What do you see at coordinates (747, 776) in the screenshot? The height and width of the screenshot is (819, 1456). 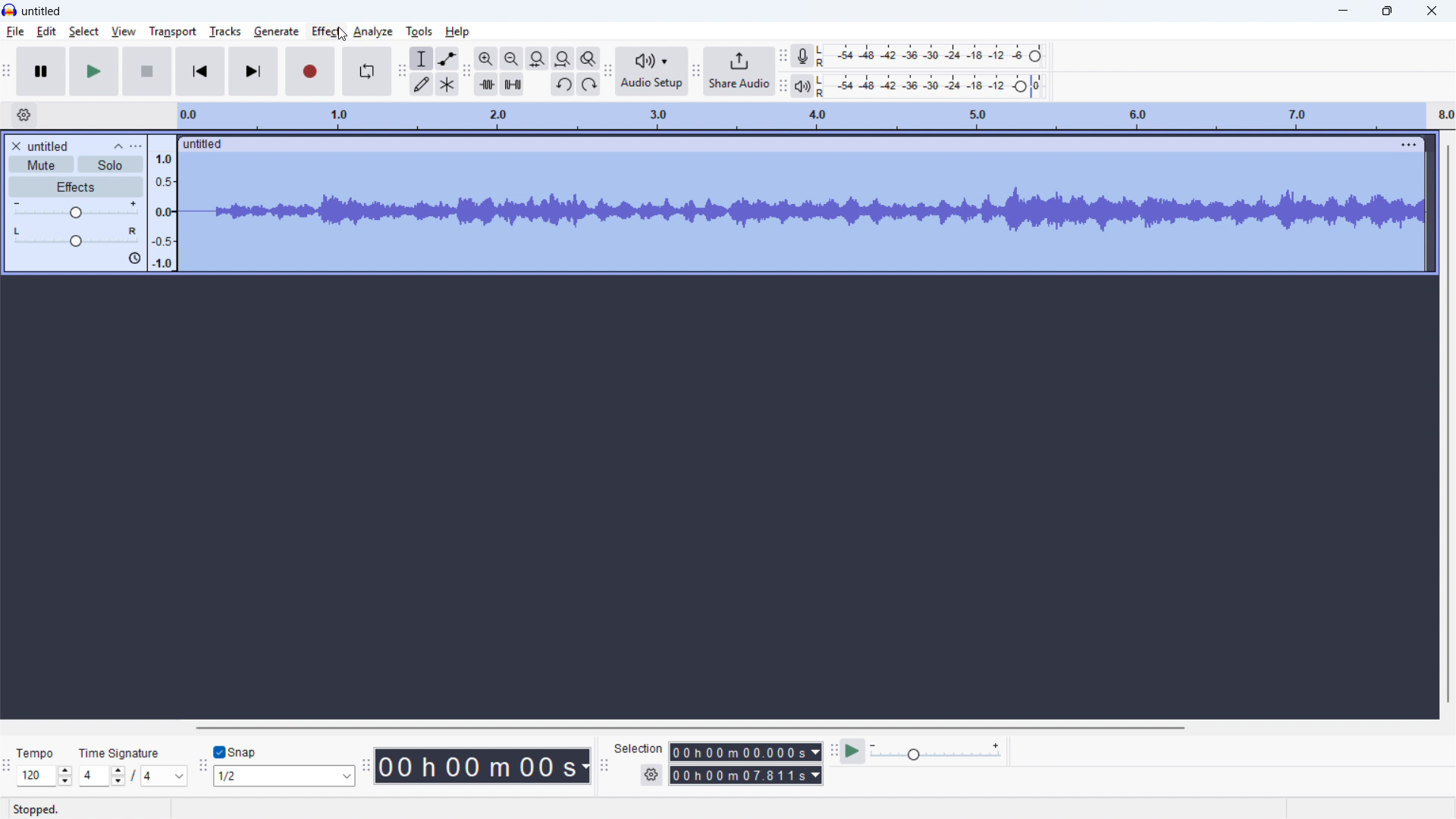 I see `Selection end time ` at bounding box center [747, 776].